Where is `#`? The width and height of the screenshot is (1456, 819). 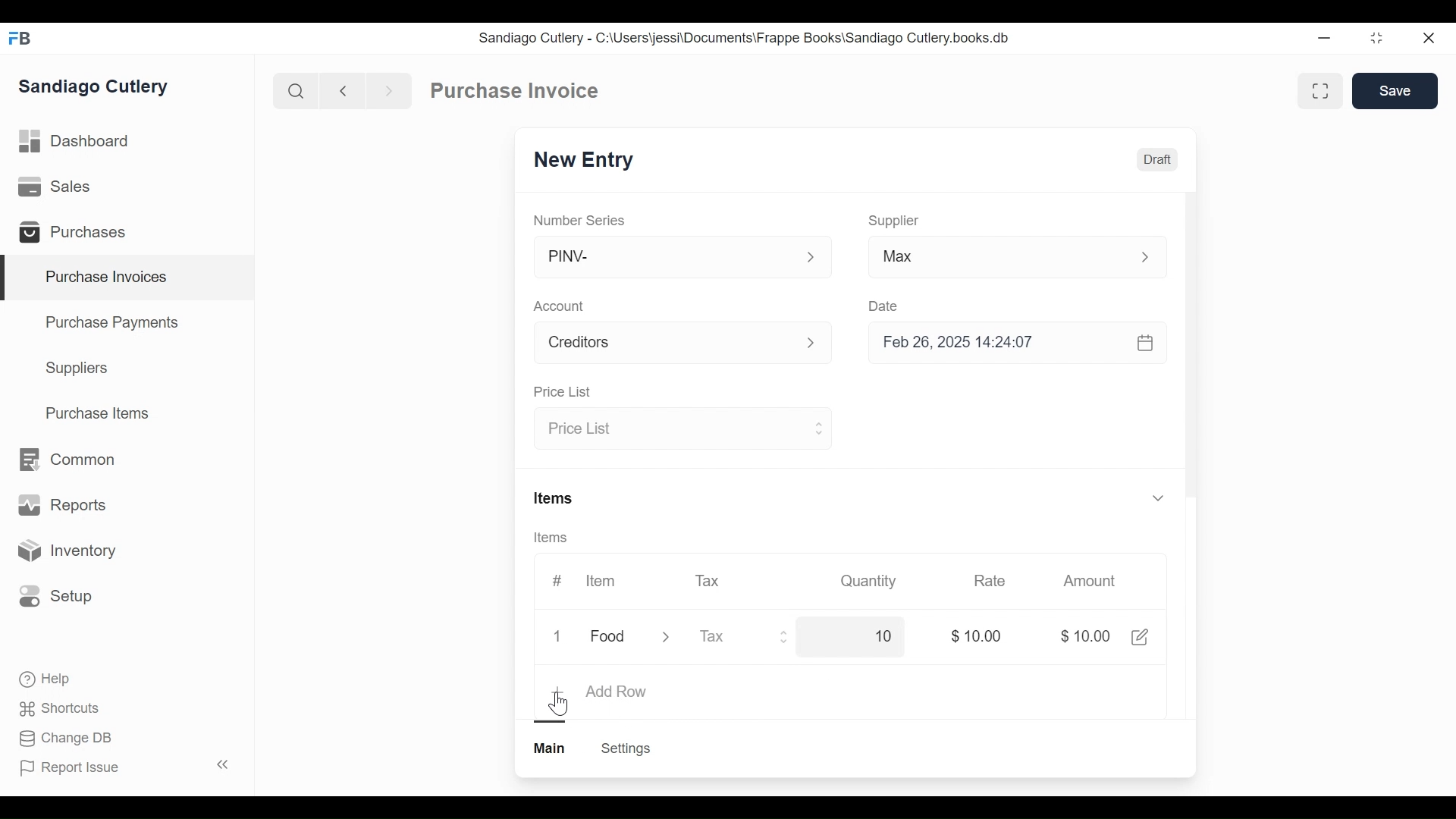
# is located at coordinates (557, 580).